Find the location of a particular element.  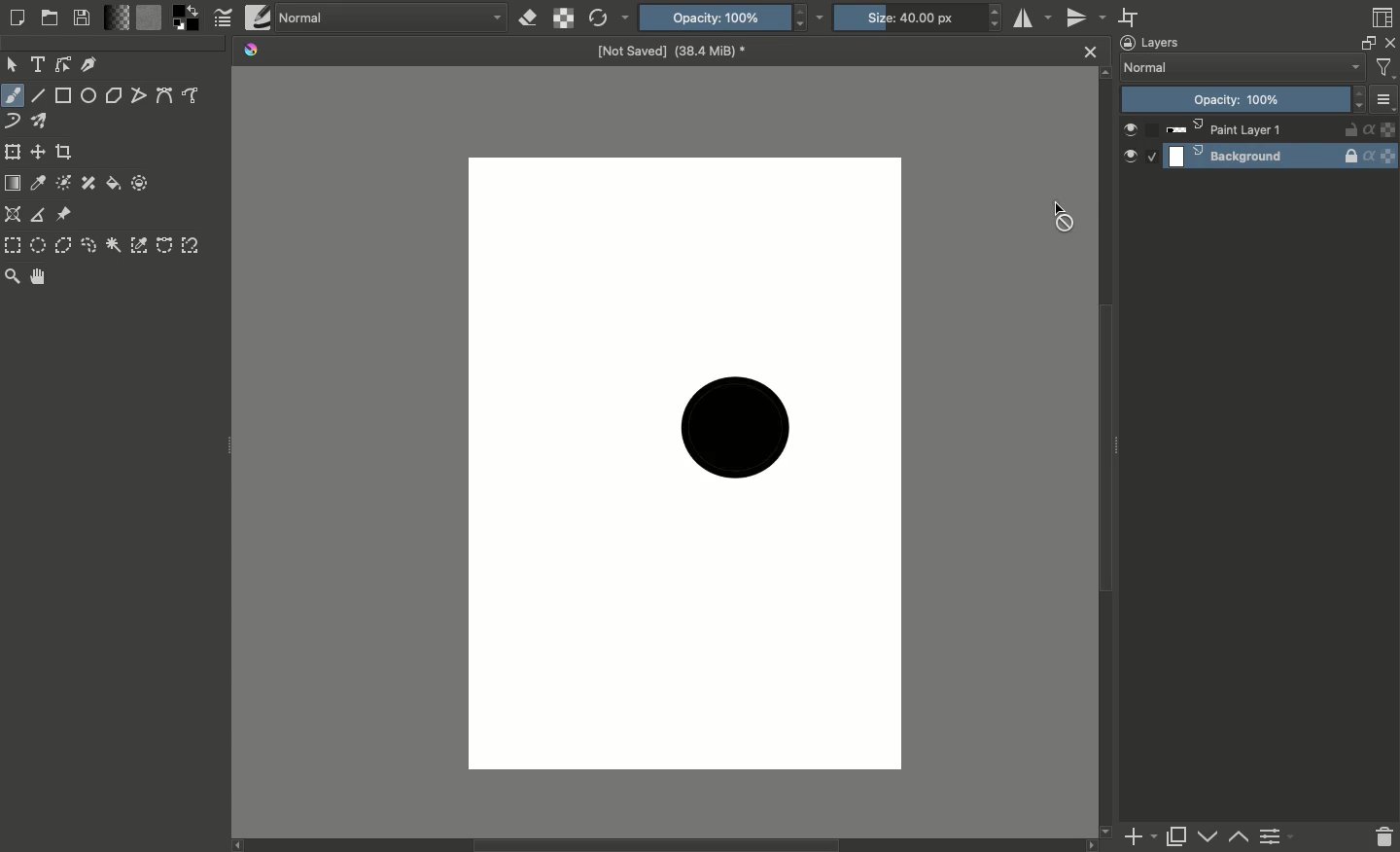

Edit is located at coordinates (65, 63).